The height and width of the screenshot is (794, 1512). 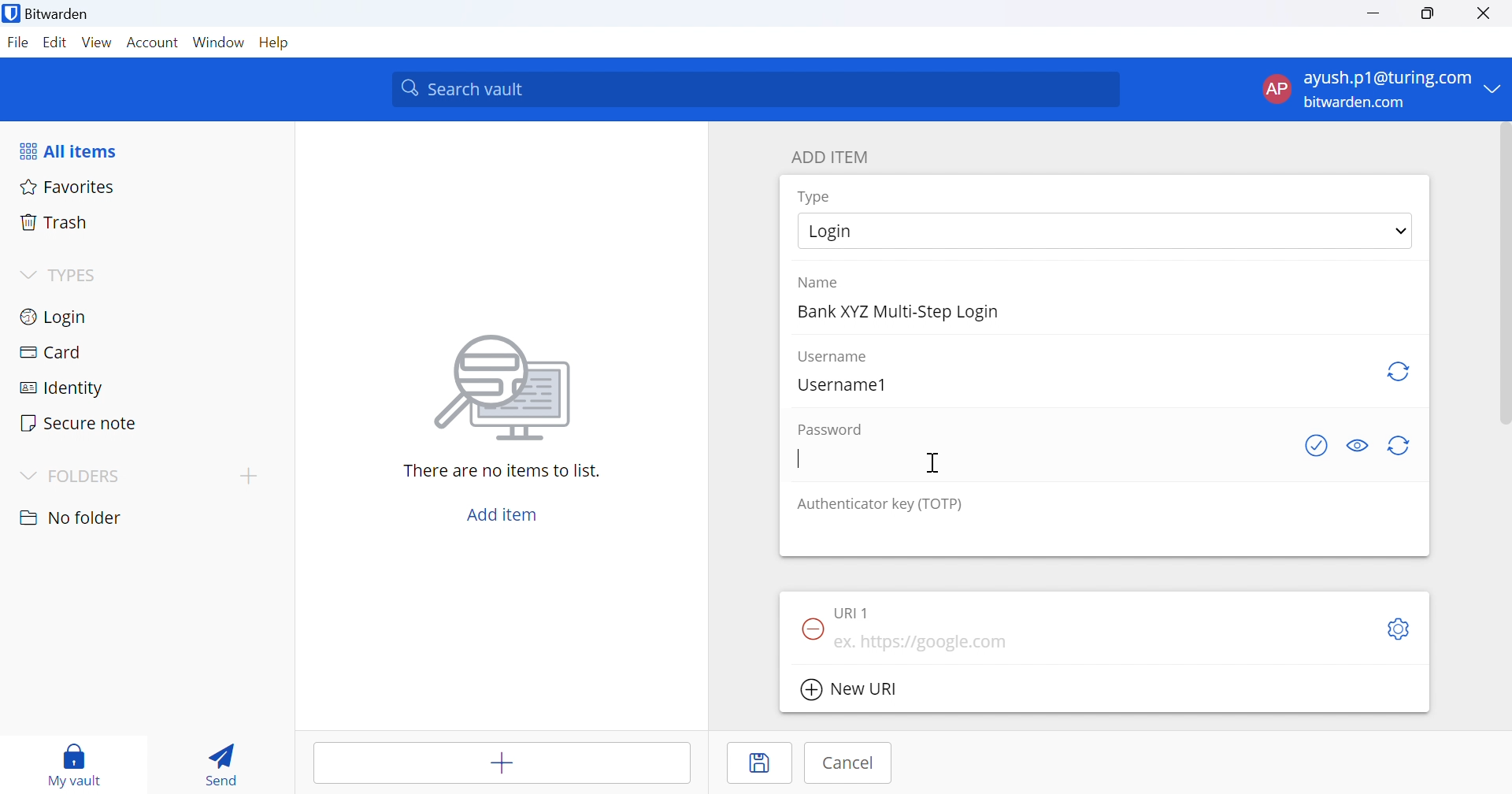 I want to click on Username, so click(x=834, y=357).